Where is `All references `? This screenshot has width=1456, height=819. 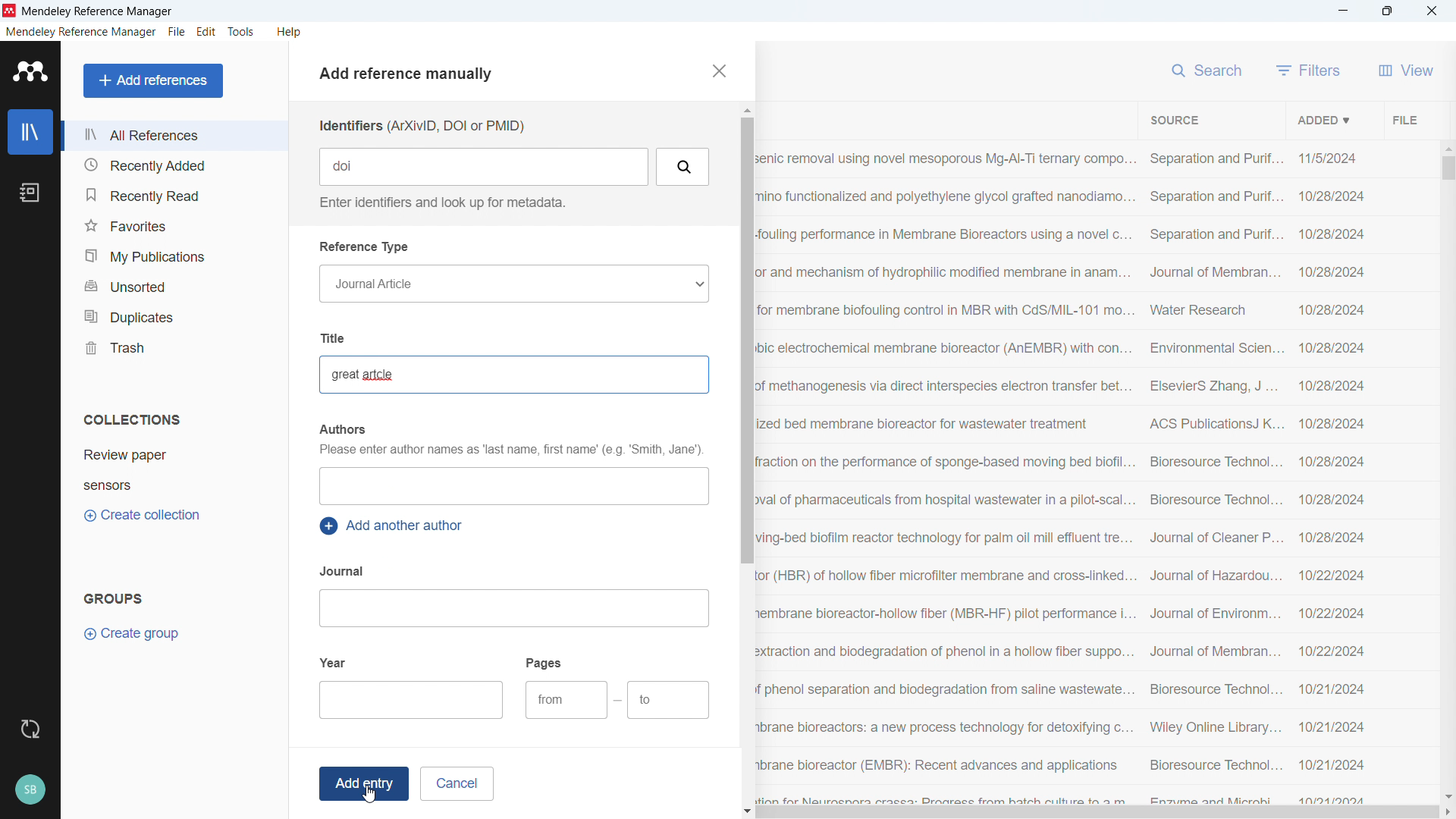 All references  is located at coordinates (174, 135).